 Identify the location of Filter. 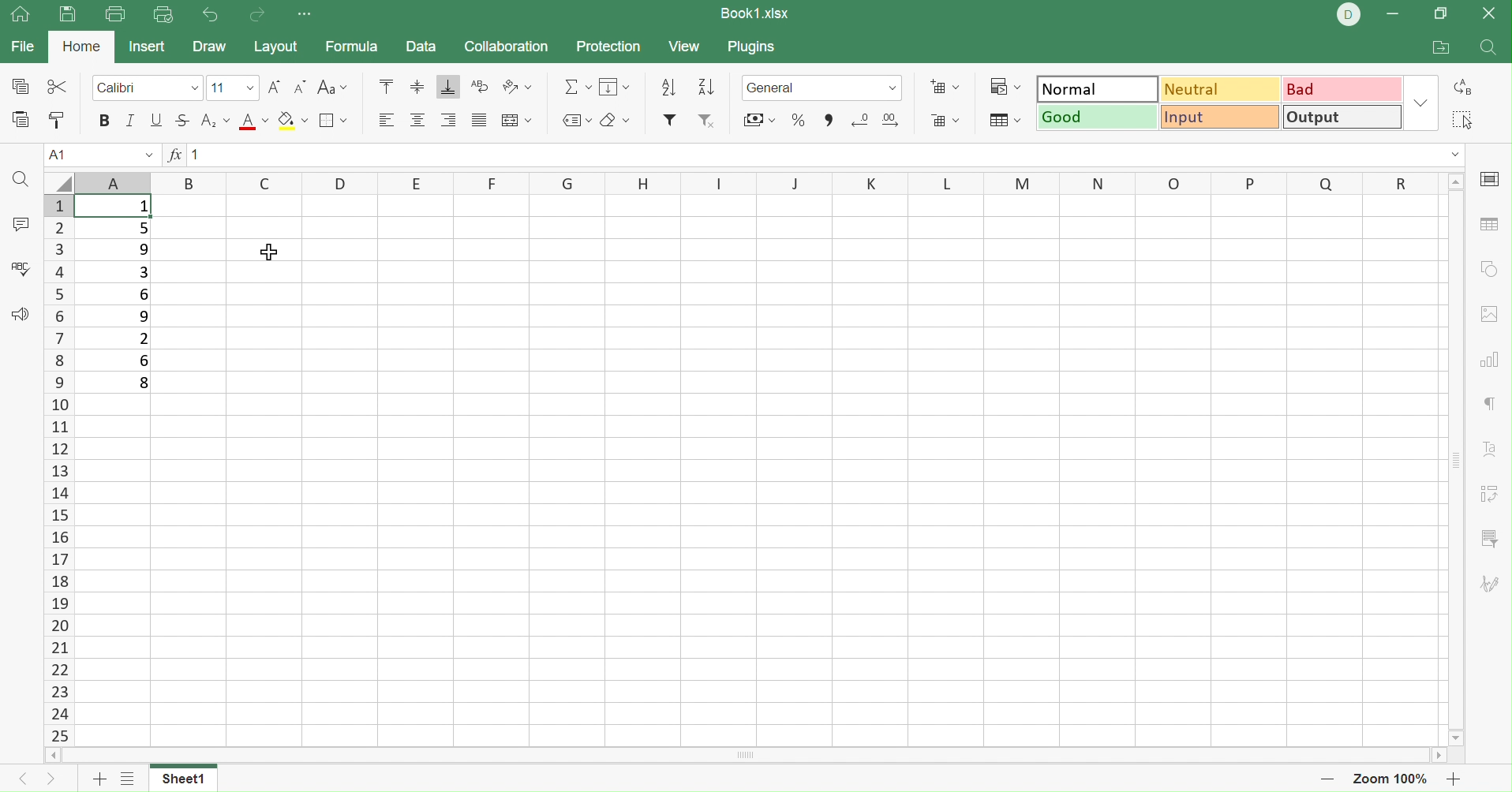
(670, 119).